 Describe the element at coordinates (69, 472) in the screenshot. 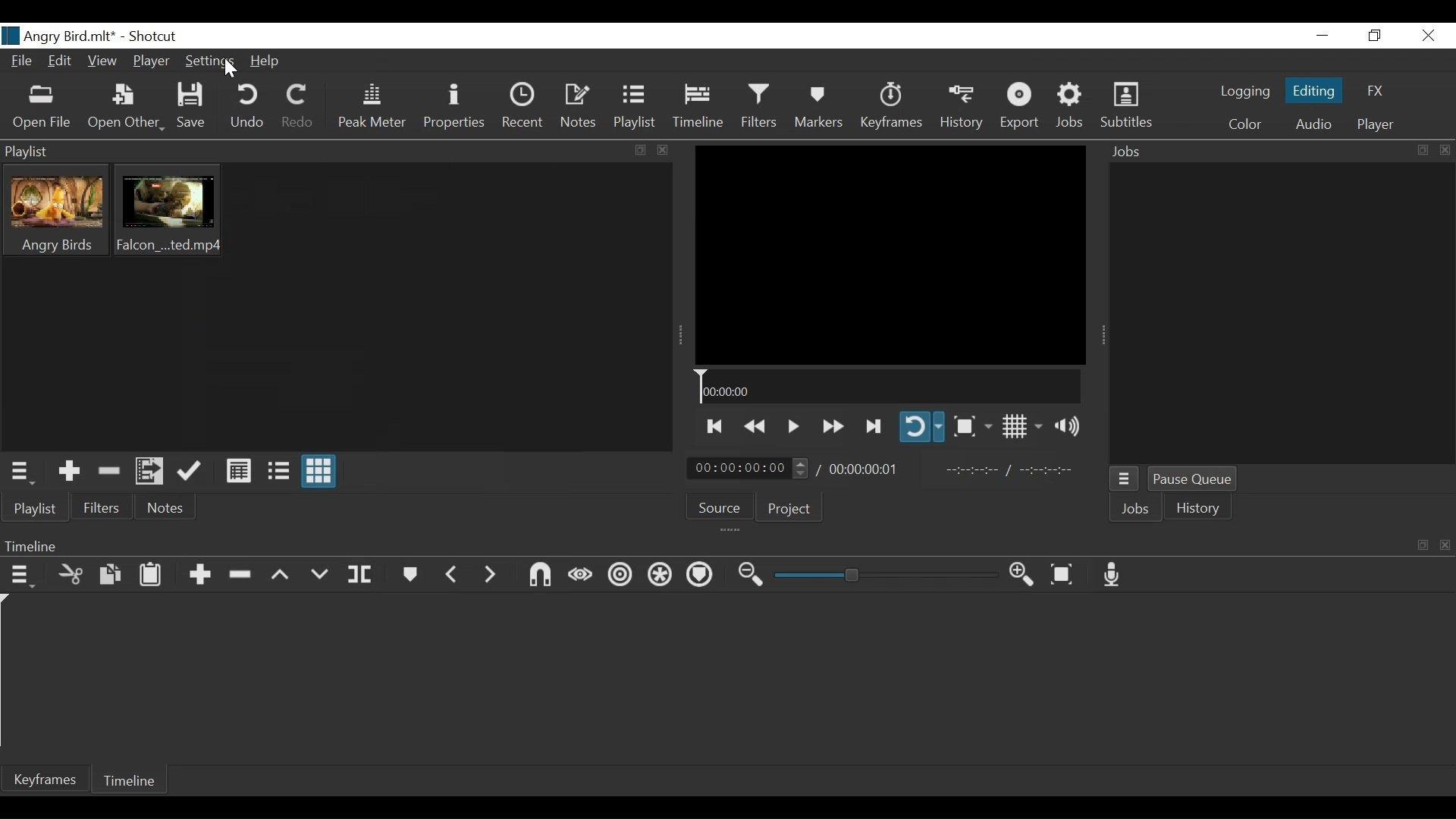

I see `Add the source to the playlist` at that location.